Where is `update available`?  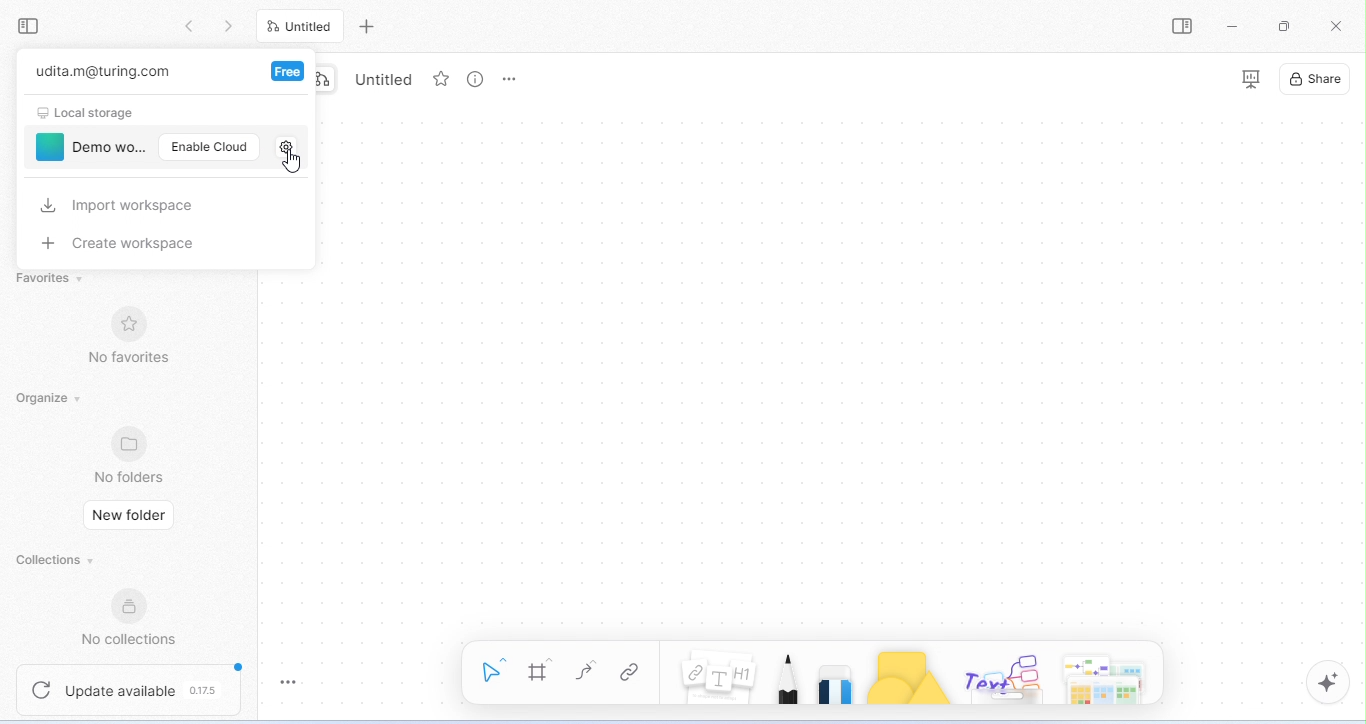 update available is located at coordinates (130, 687).